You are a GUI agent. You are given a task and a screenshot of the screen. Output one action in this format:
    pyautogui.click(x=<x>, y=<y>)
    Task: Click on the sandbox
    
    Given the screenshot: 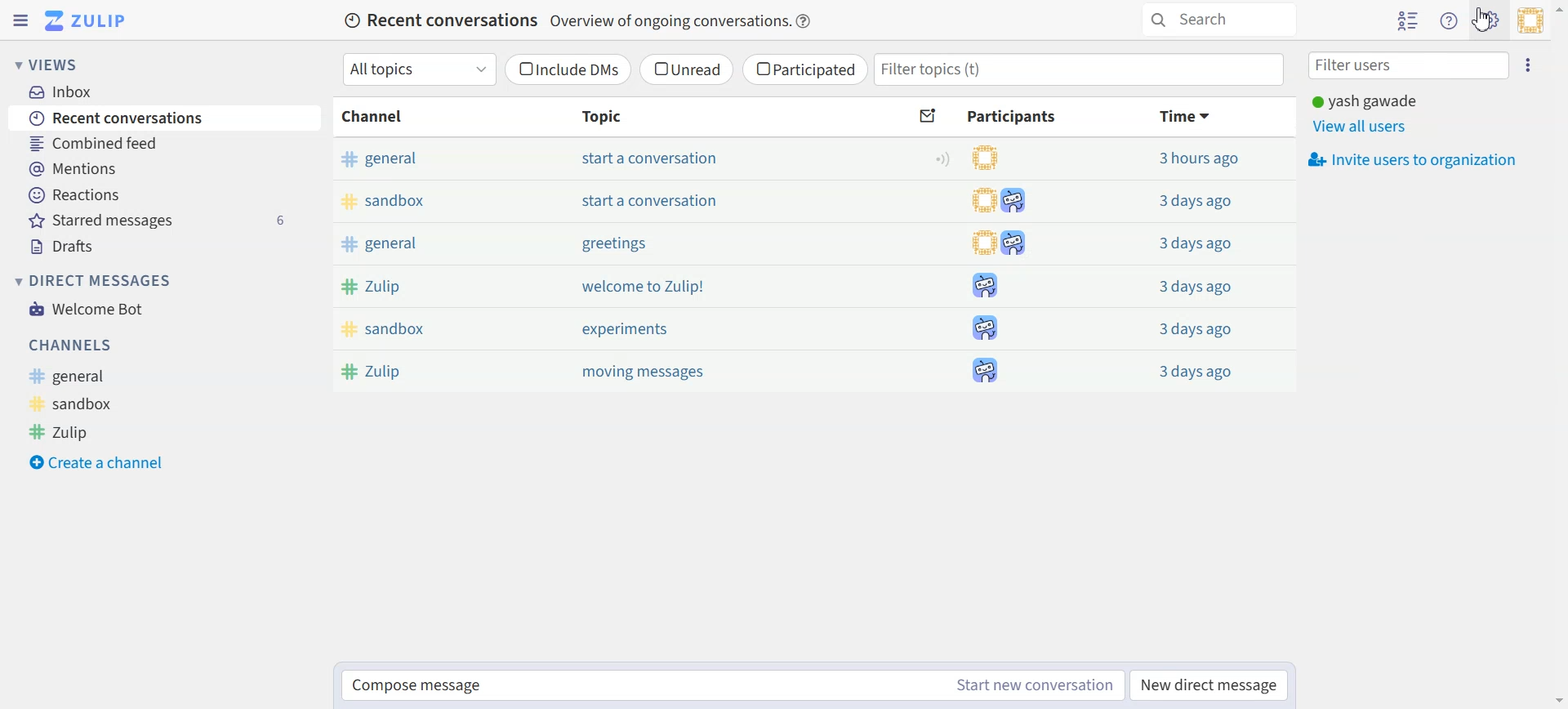 What is the action you would take?
    pyautogui.click(x=389, y=203)
    